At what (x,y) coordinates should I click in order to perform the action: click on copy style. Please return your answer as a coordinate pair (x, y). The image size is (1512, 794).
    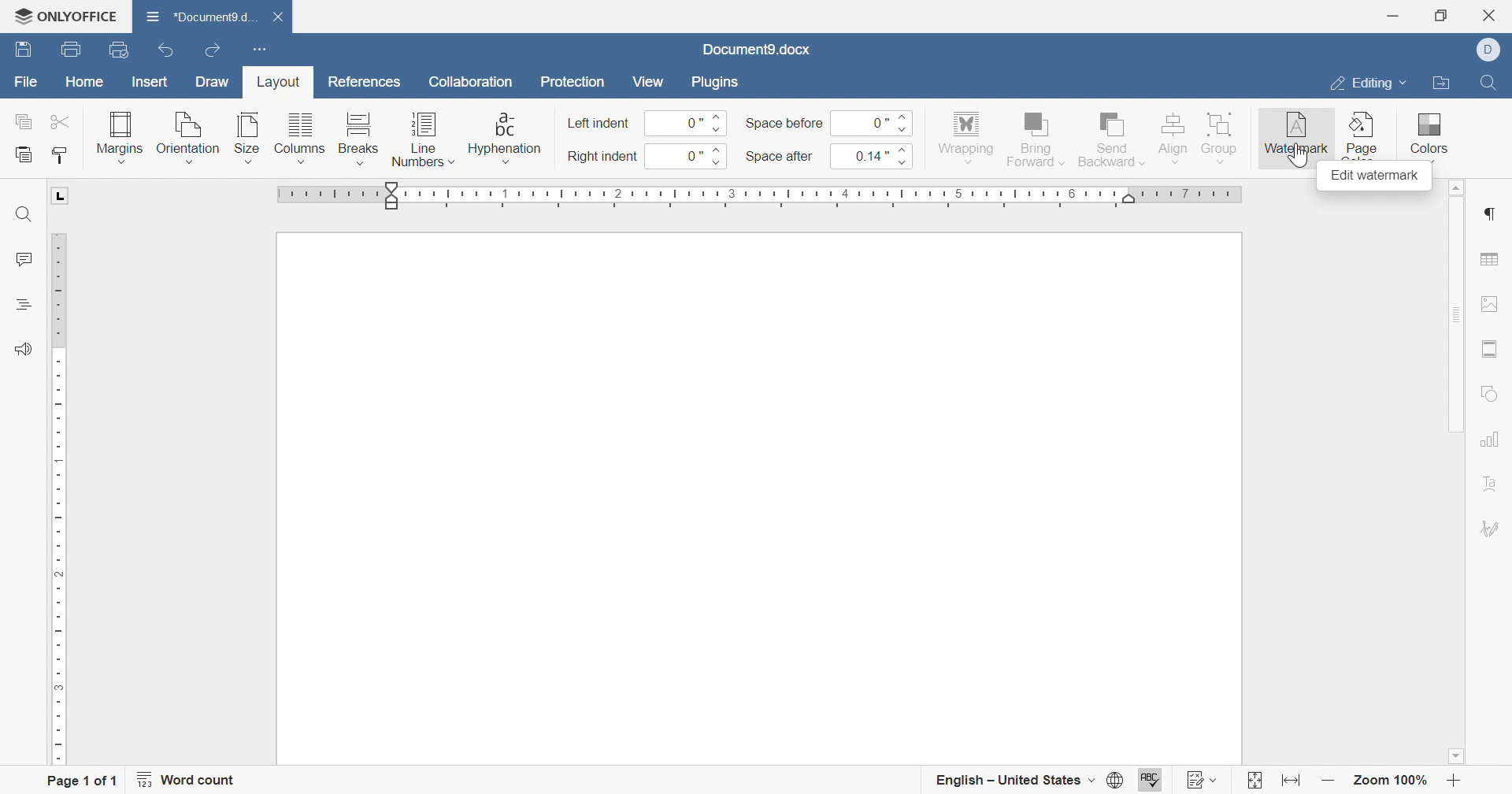
    Looking at the image, I should click on (61, 155).